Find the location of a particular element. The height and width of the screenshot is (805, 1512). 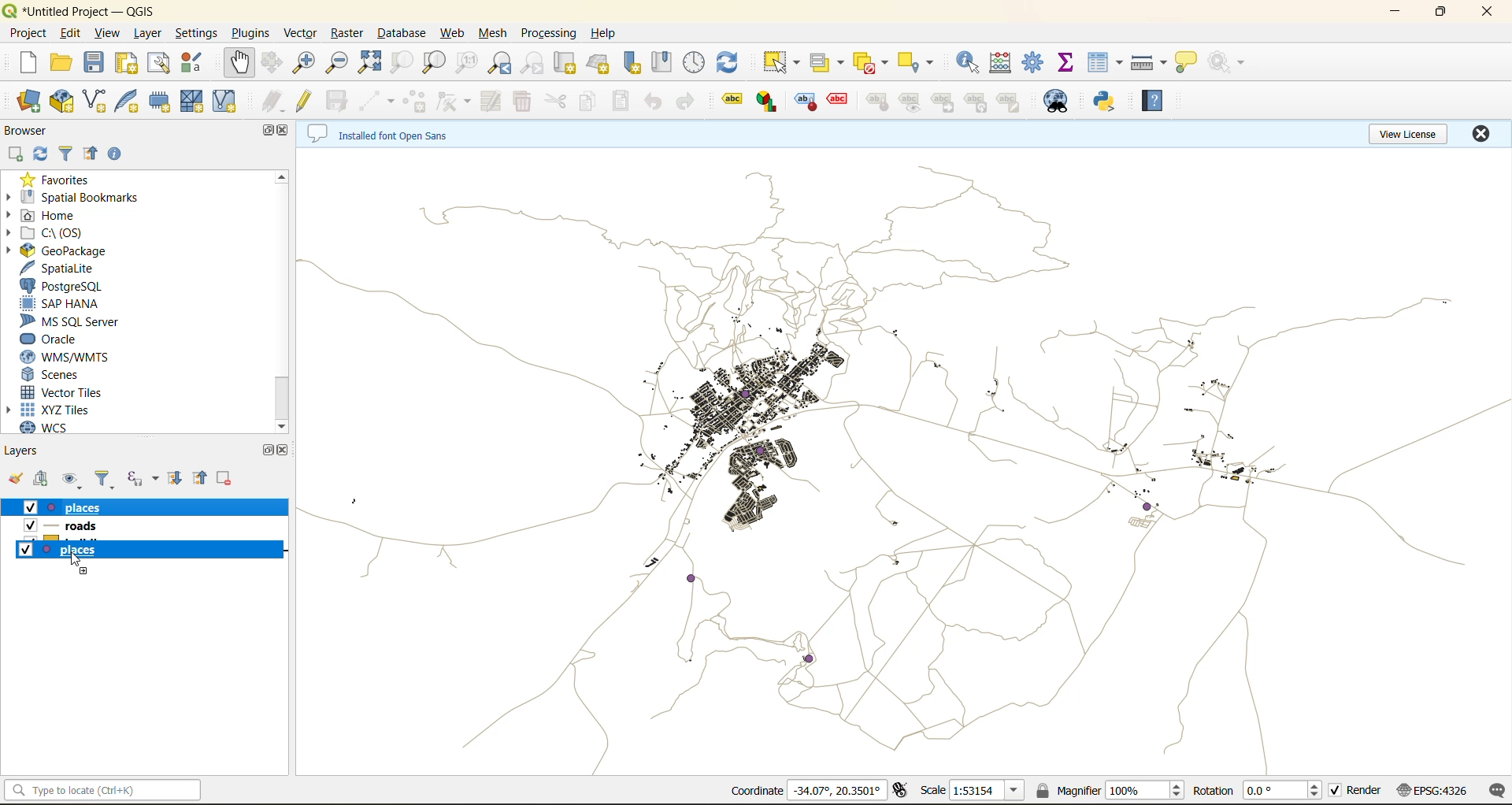

layer diagram is located at coordinates (769, 99).